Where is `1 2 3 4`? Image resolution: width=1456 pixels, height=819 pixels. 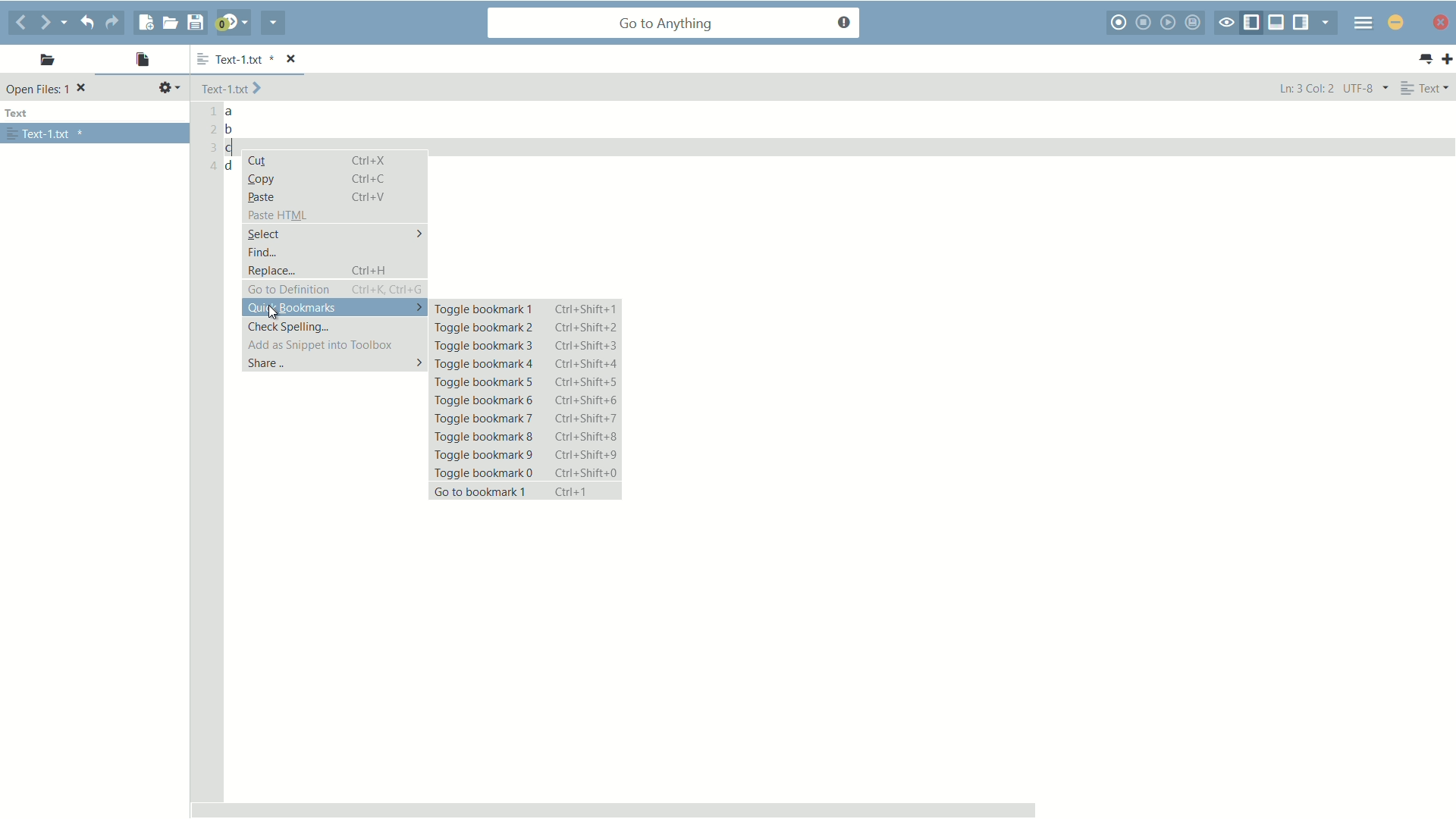 1 2 3 4 is located at coordinates (209, 141).